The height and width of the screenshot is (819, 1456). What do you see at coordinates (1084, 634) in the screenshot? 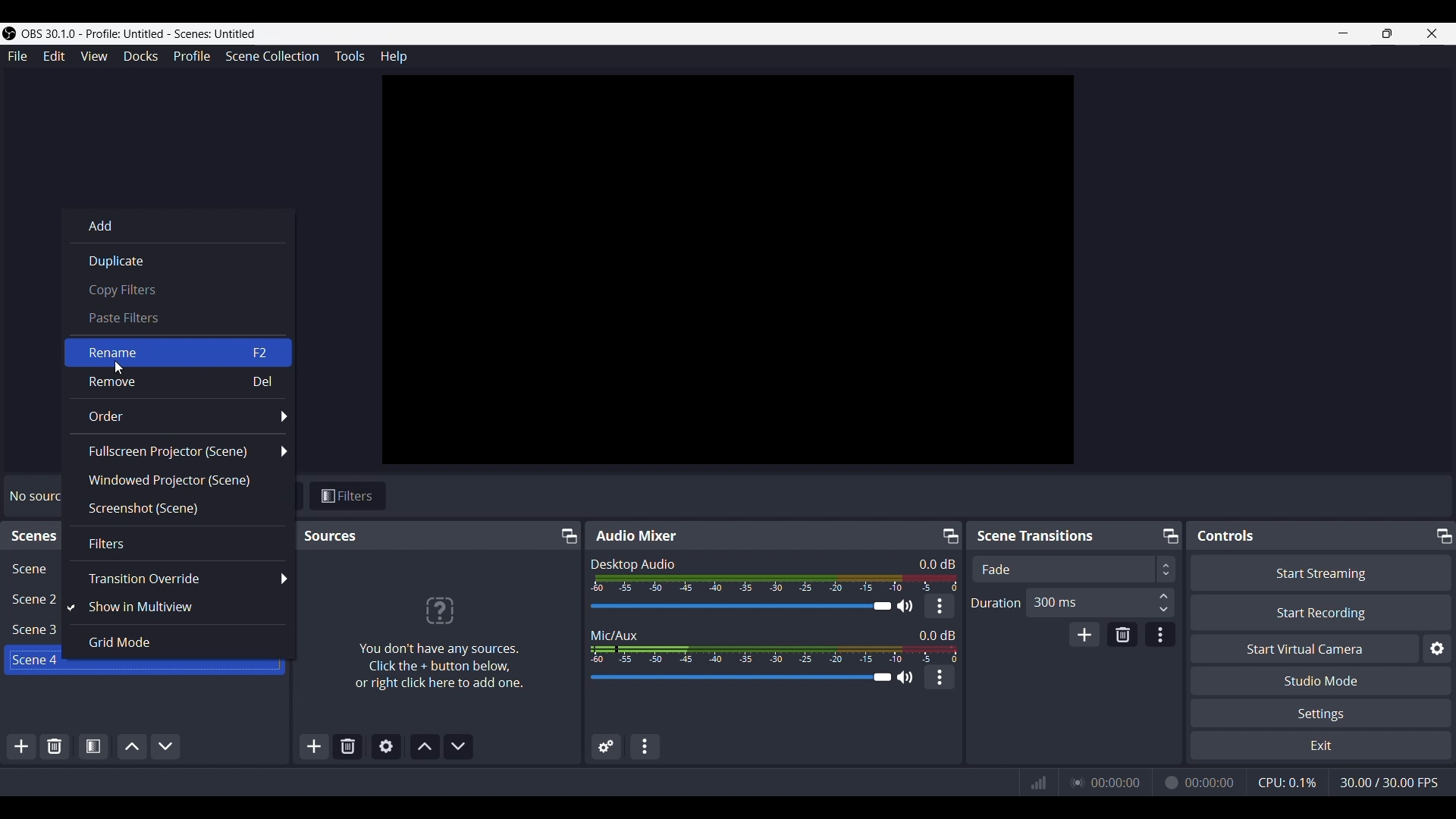
I see `add transition` at bounding box center [1084, 634].